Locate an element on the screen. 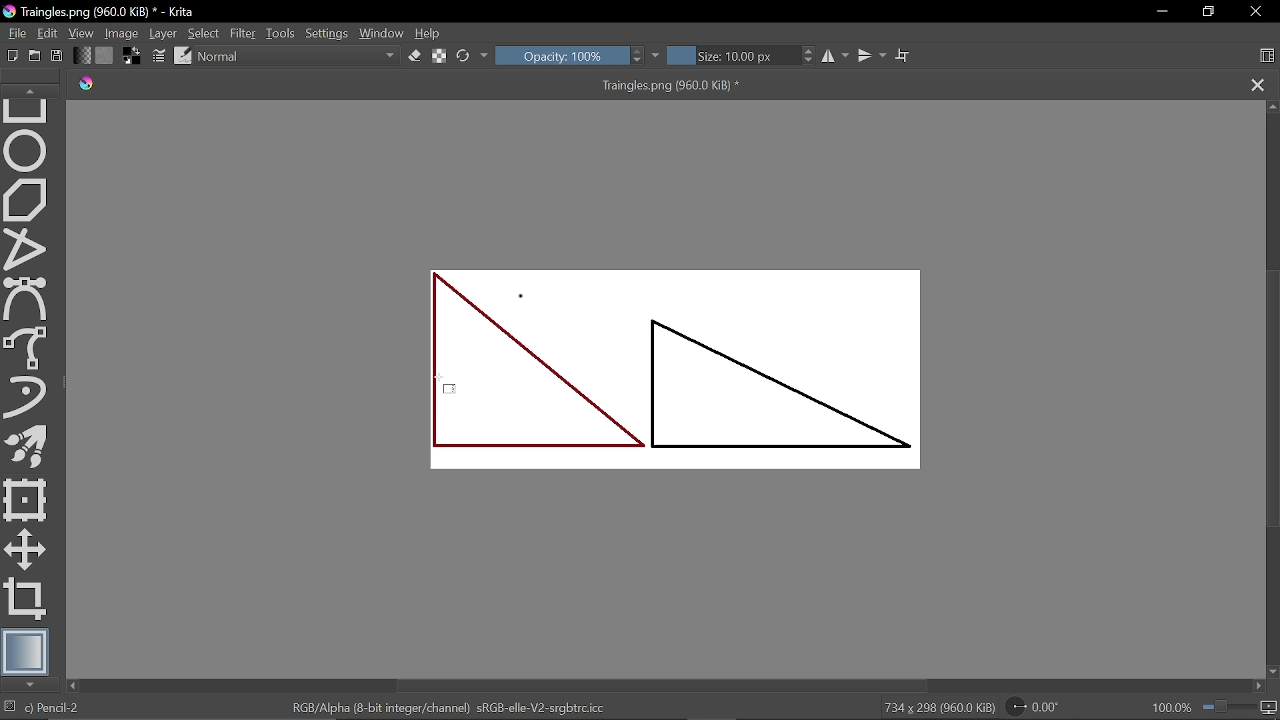 The height and width of the screenshot is (720, 1280). Traingles.png (960.0 KiB) * - Krita is located at coordinates (99, 11).